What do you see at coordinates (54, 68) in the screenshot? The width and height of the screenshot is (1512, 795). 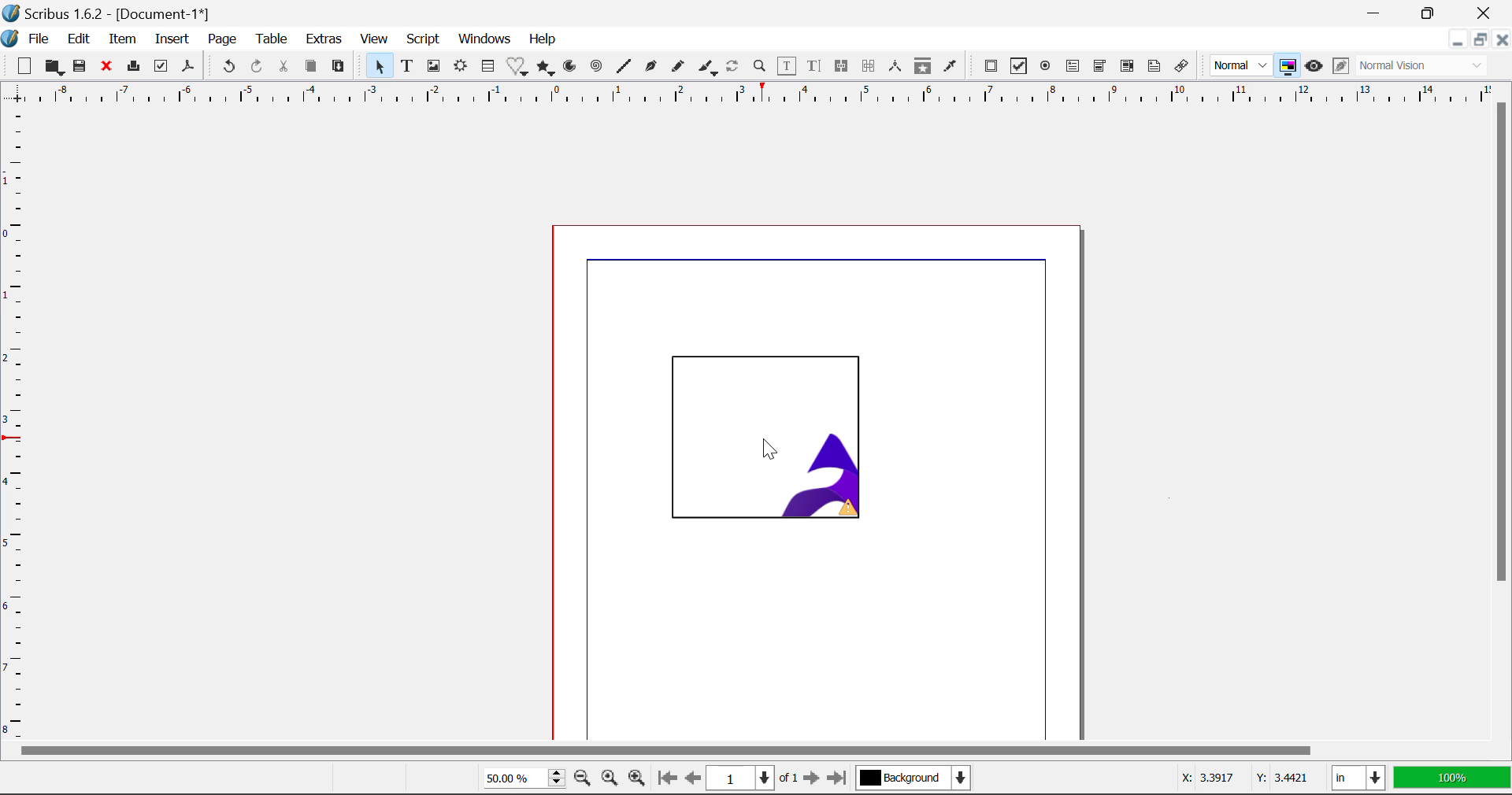 I see `Open` at bounding box center [54, 68].